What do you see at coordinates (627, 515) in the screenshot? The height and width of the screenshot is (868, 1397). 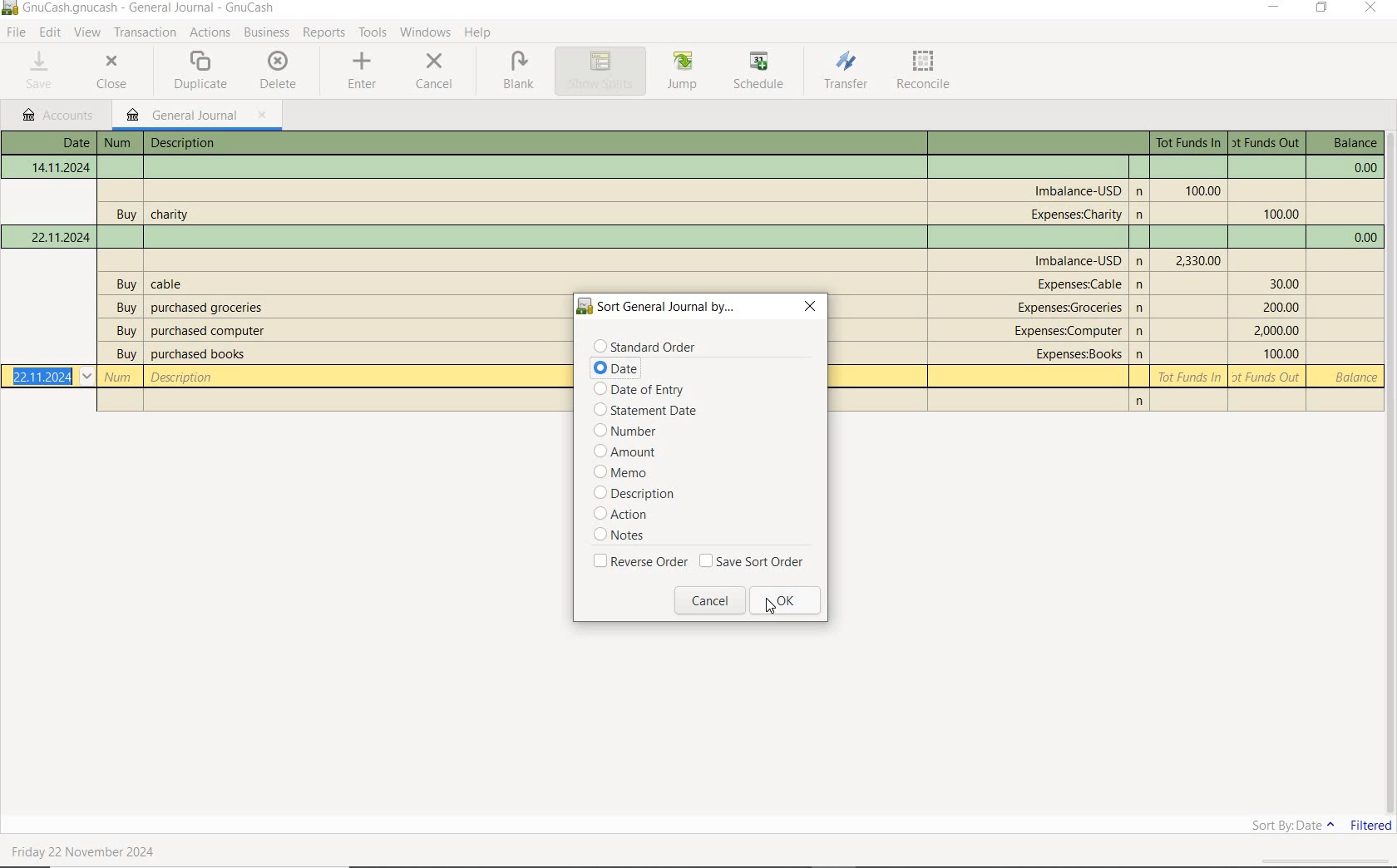 I see `action` at bounding box center [627, 515].